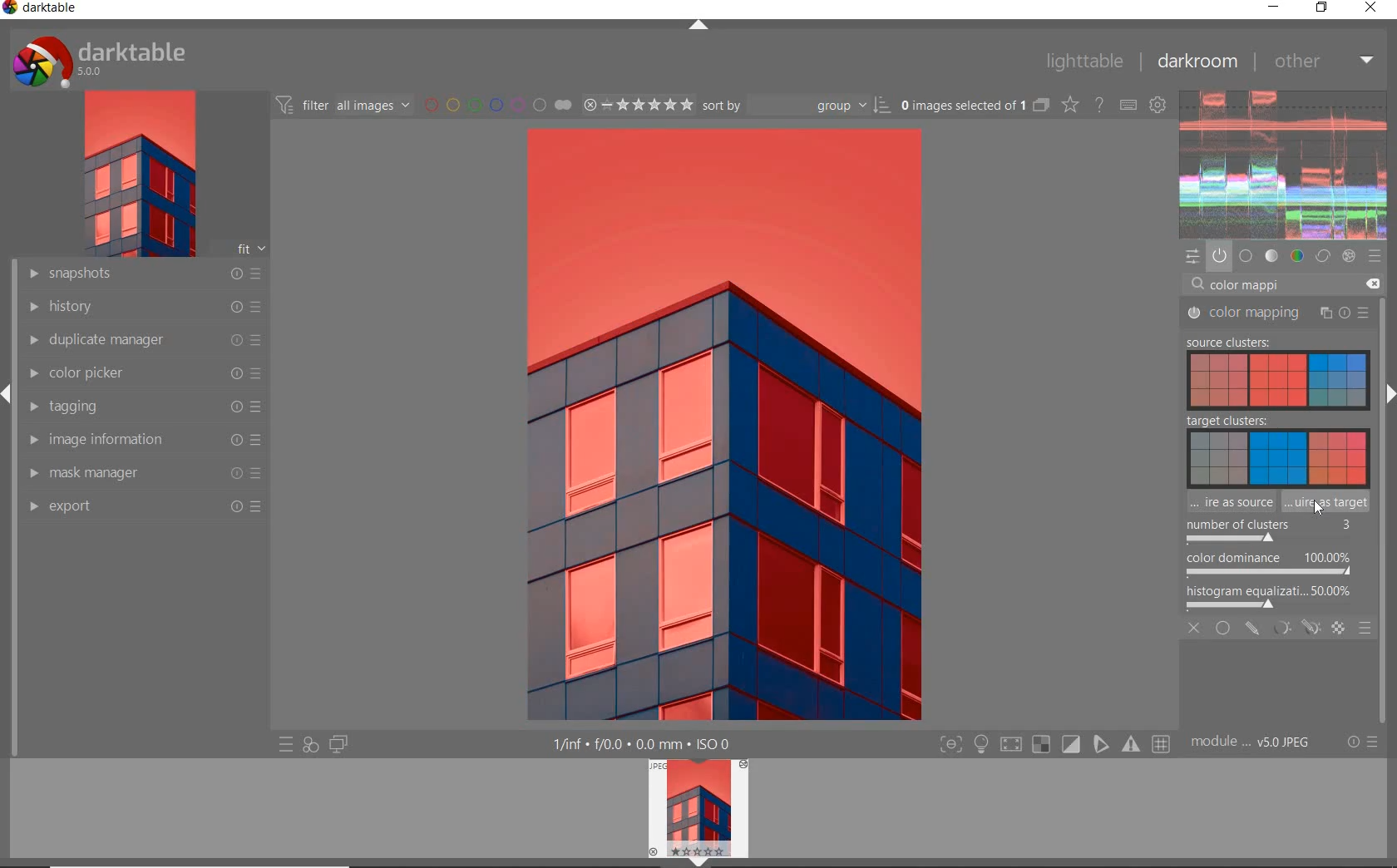  I want to click on TARGET CLUSTERS, so click(1274, 449).